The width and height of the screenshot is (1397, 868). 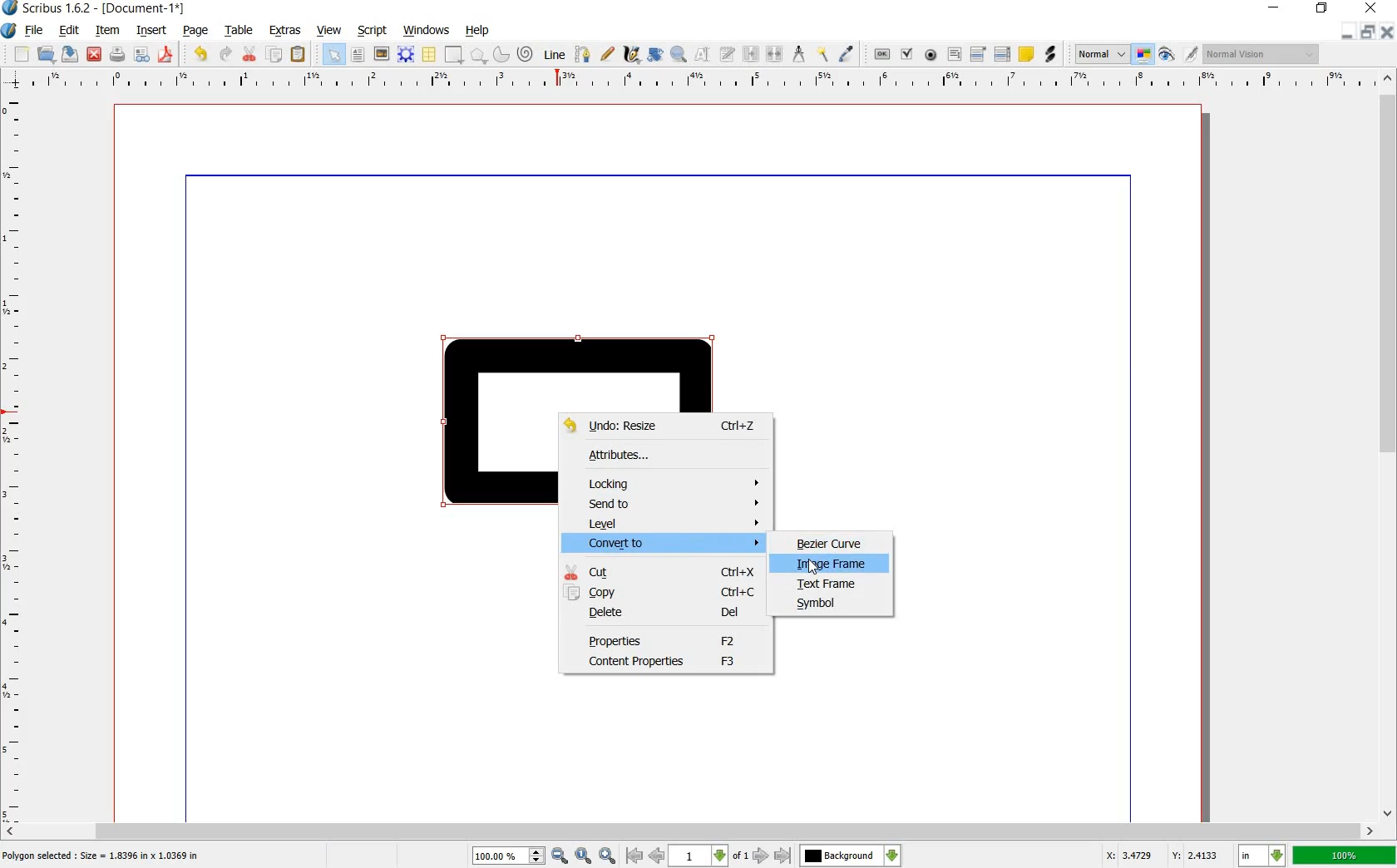 What do you see at coordinates (1260, 55) in the screenshot?
I see `visual appearance of the display` at bounding box center [1260, 55].